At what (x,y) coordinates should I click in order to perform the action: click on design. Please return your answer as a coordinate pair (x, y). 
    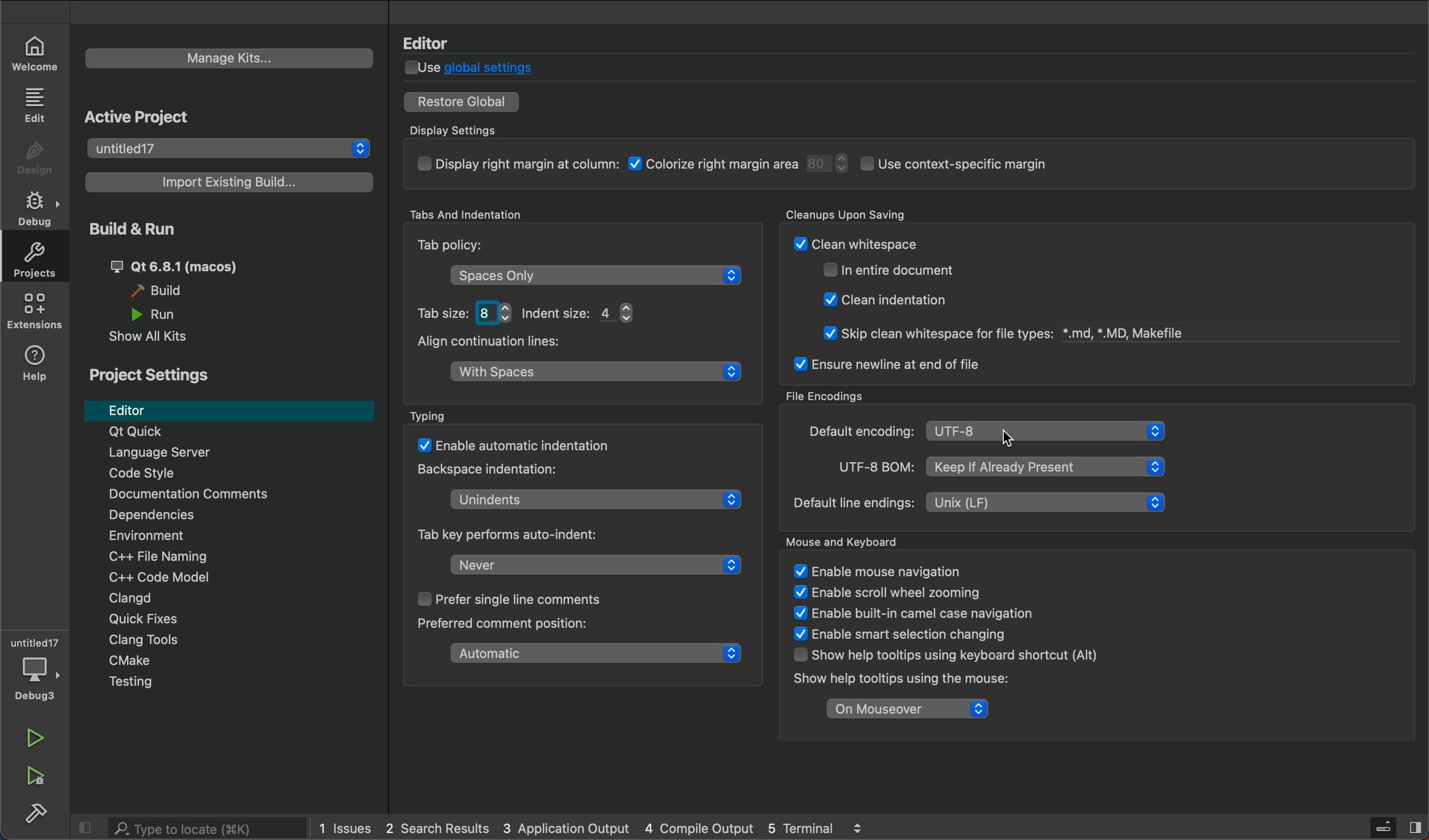
    Looking at the image, I should click on (34, 159).